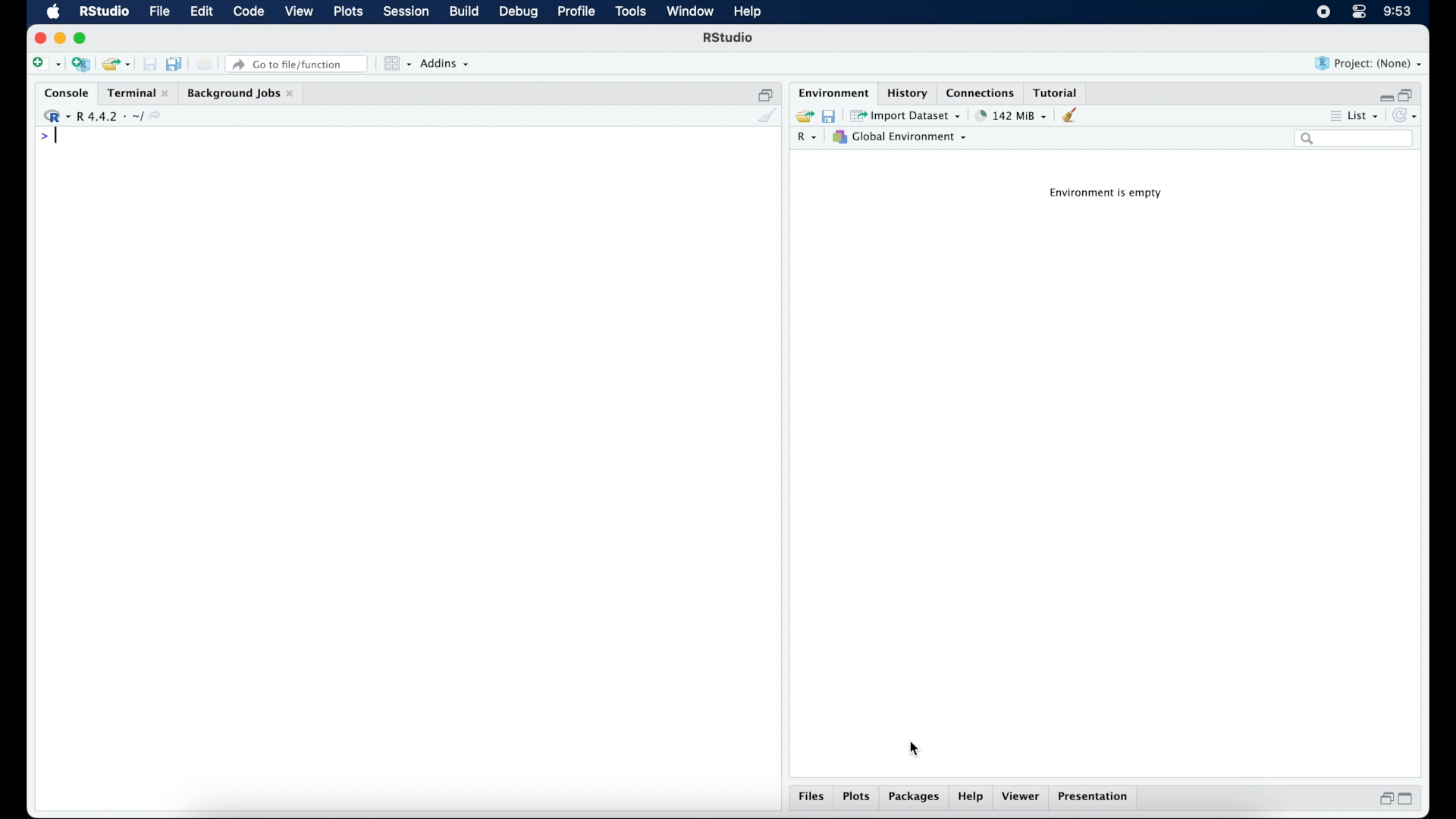 Image resolution: width=1456 pixels, height=819 pixels. I want to click on workspace panes, so click(397, 64).